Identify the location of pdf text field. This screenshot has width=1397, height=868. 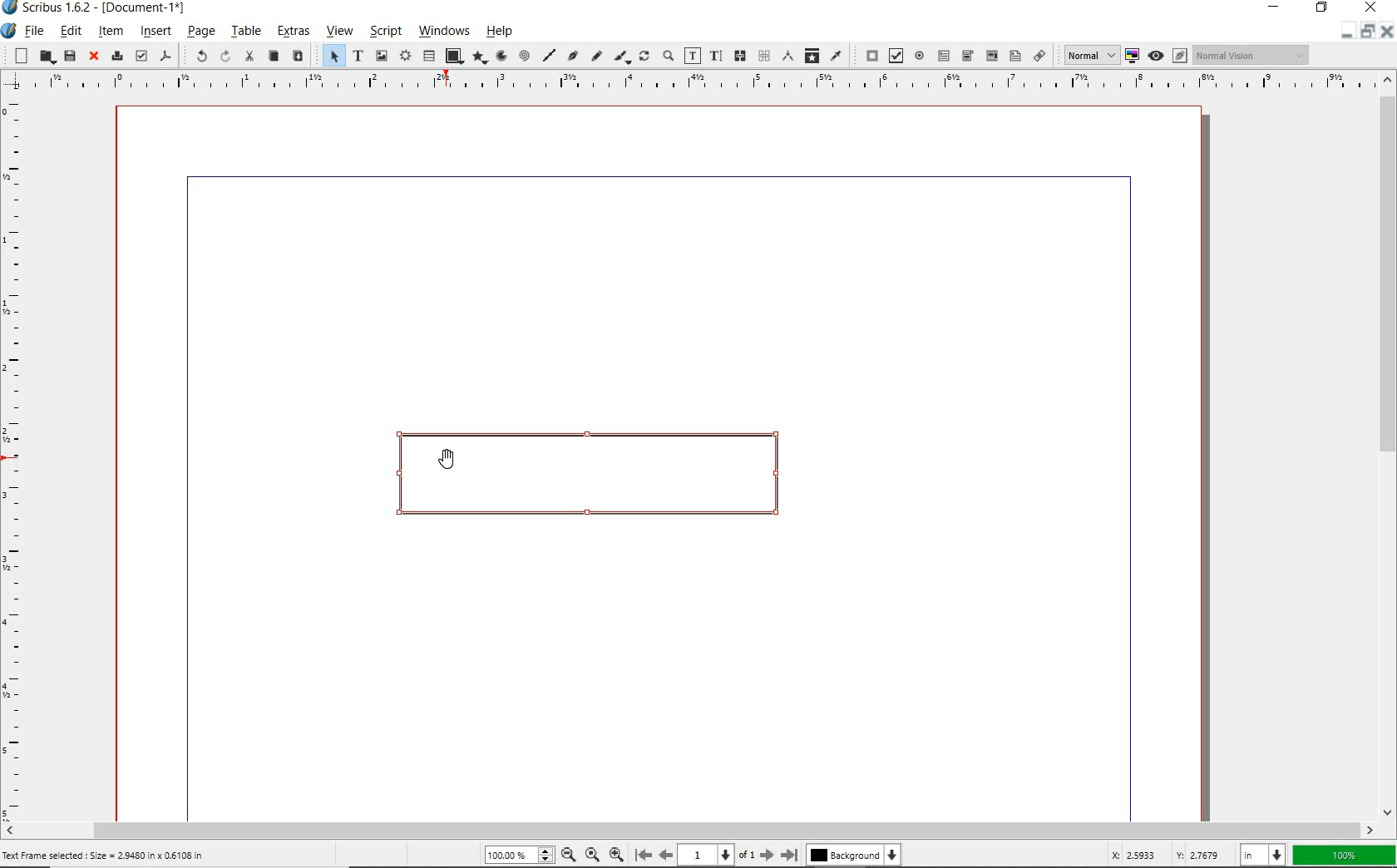
(943, 55).